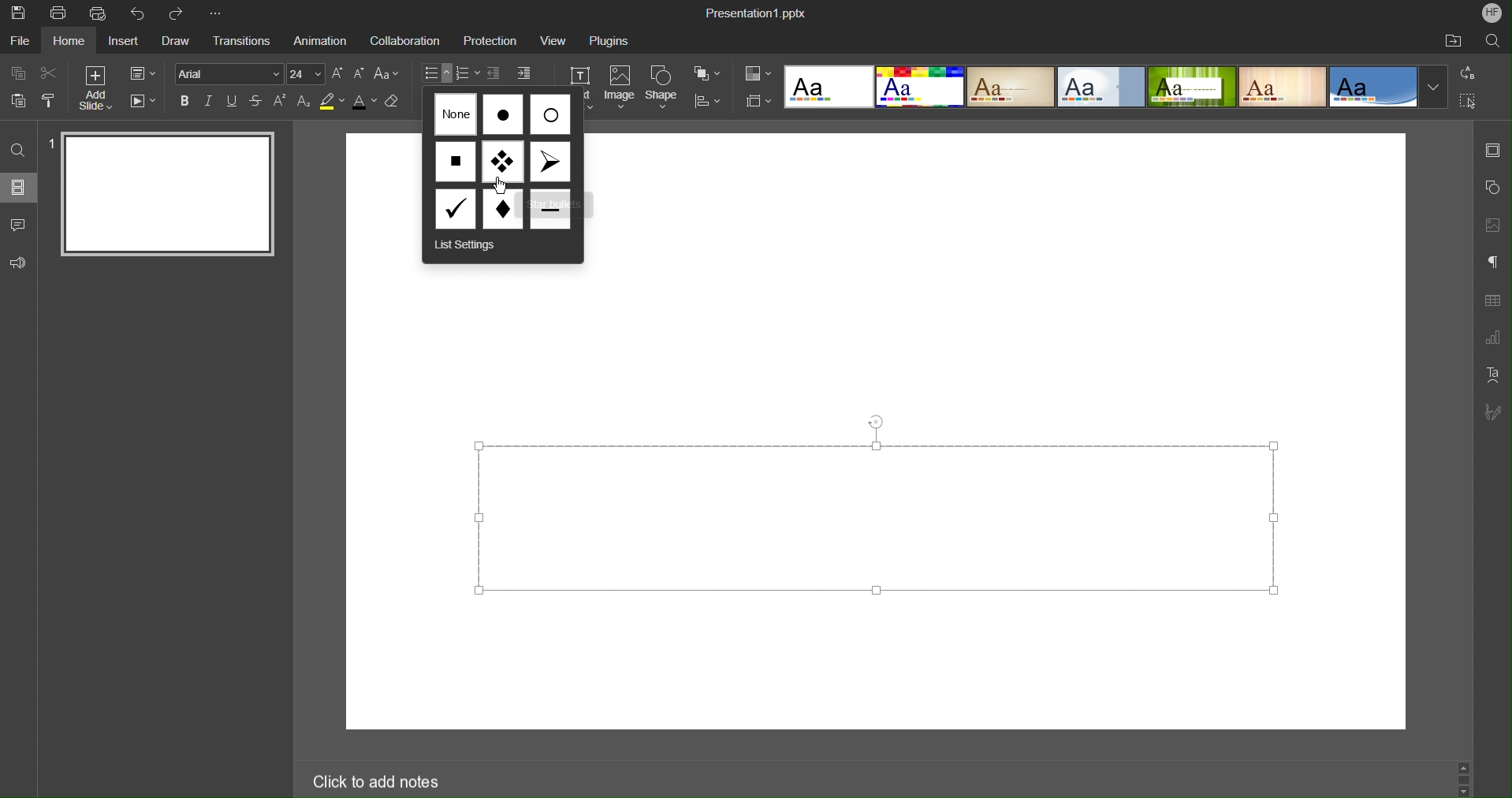 The image size is (1512, 798). Describe the element at coordinates (20, 189) in the screenshot. I see `Slides` at that location.